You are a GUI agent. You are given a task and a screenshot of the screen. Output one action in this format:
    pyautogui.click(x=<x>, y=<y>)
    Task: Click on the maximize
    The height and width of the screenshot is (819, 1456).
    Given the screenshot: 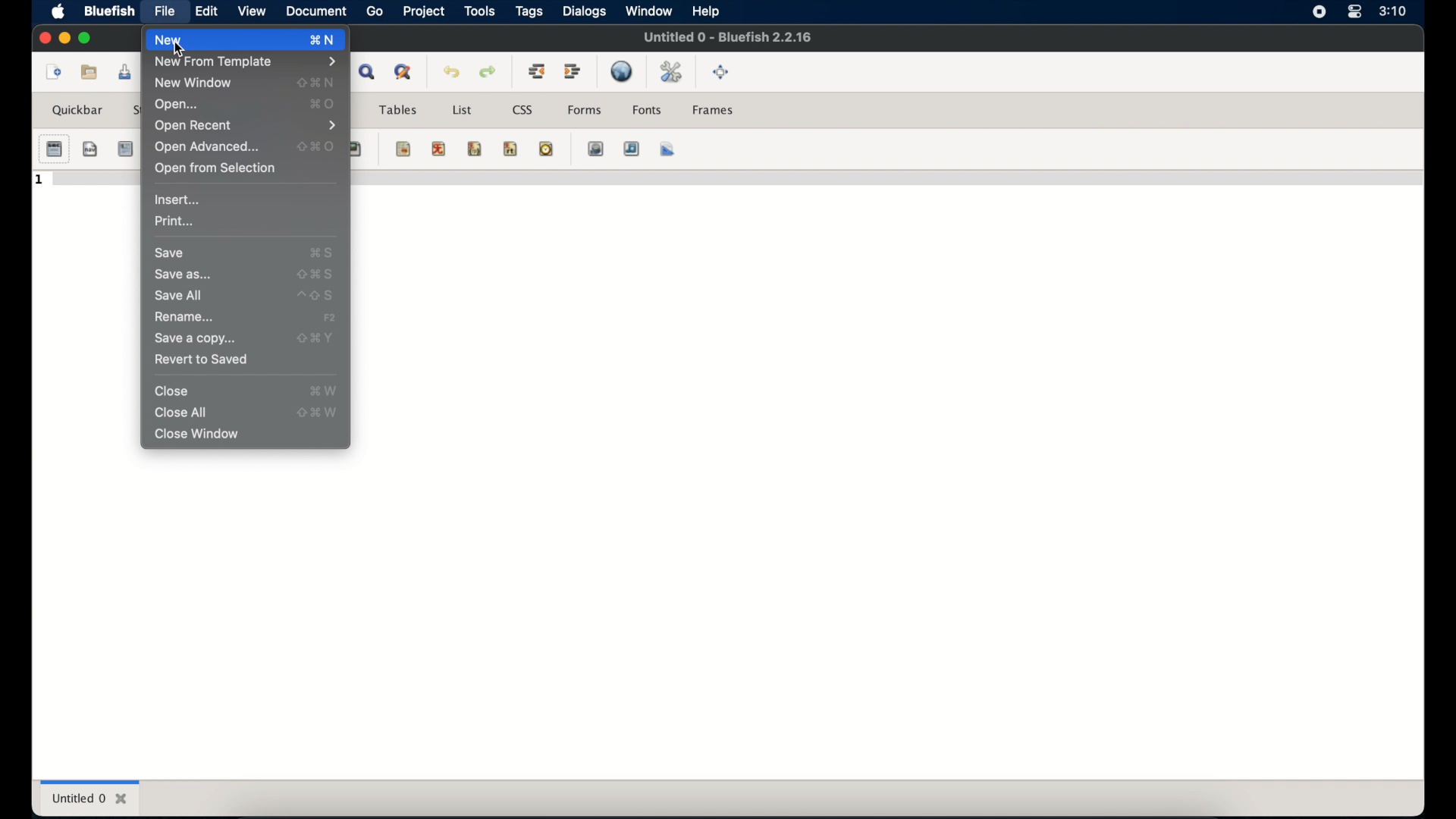 What is the action you would take?
    pyautogui.click(x=86, y=38)
    